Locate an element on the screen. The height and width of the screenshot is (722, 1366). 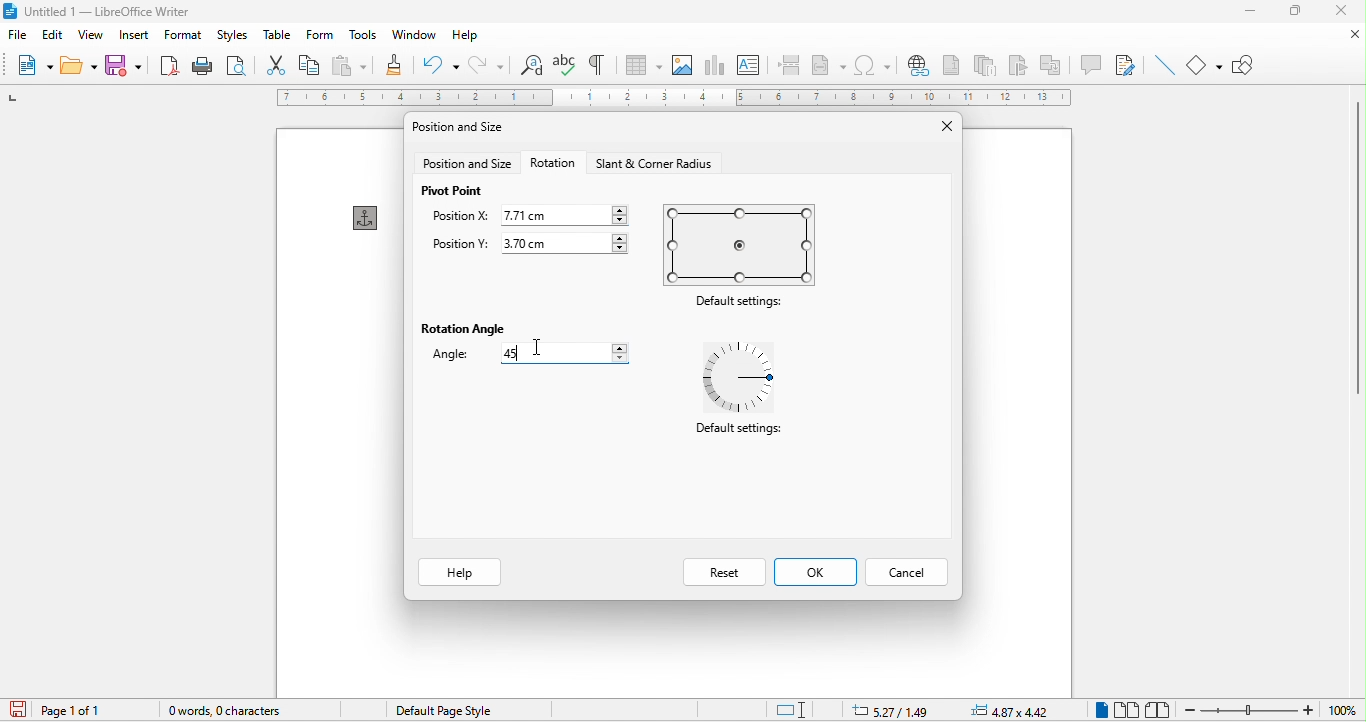
default settings is located at coordinates (748, 375).